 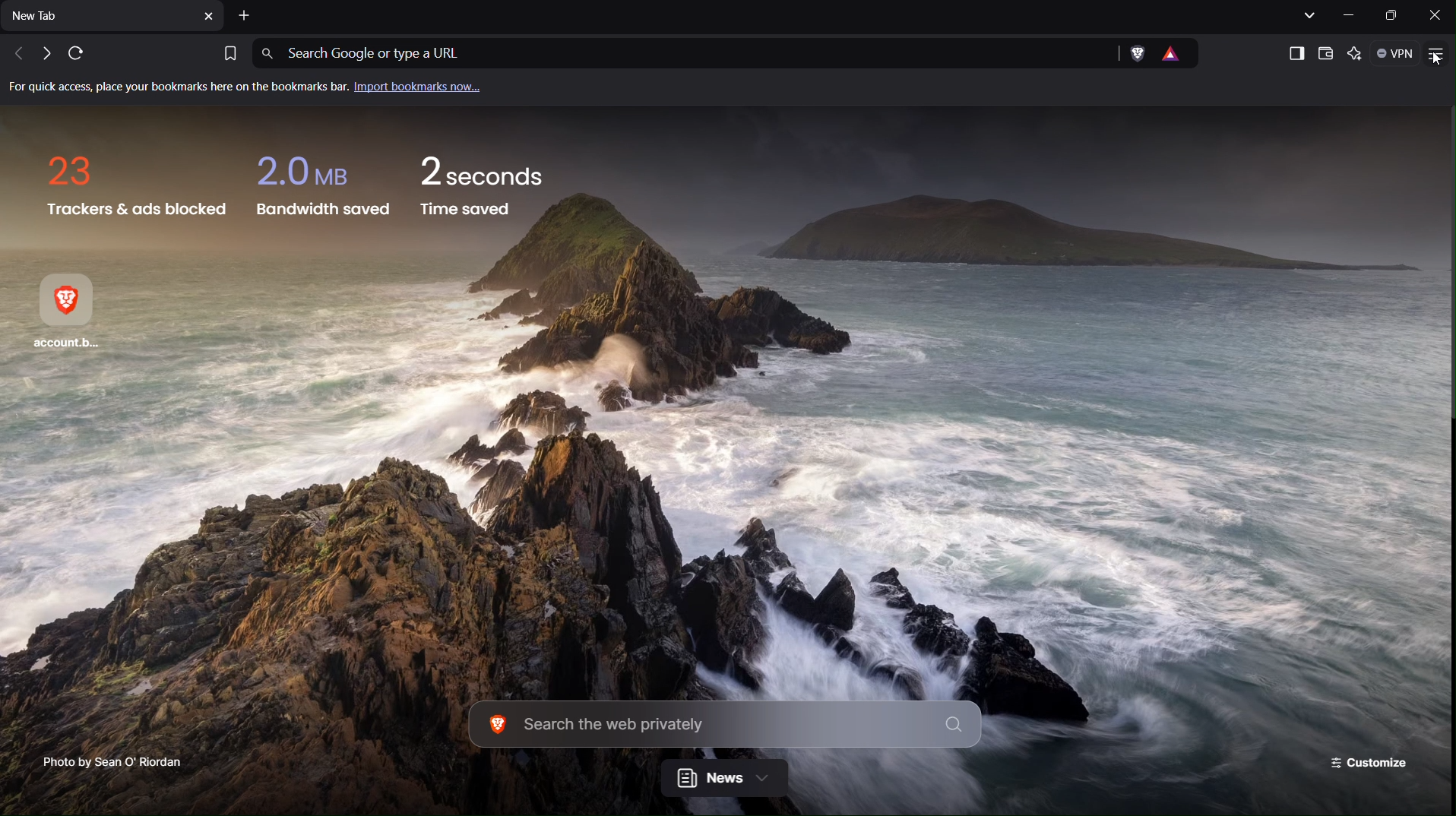 What do you see at coordinates (74, 54) in the screenshot?
I see `Refresh` at bounding box center [74, 54].